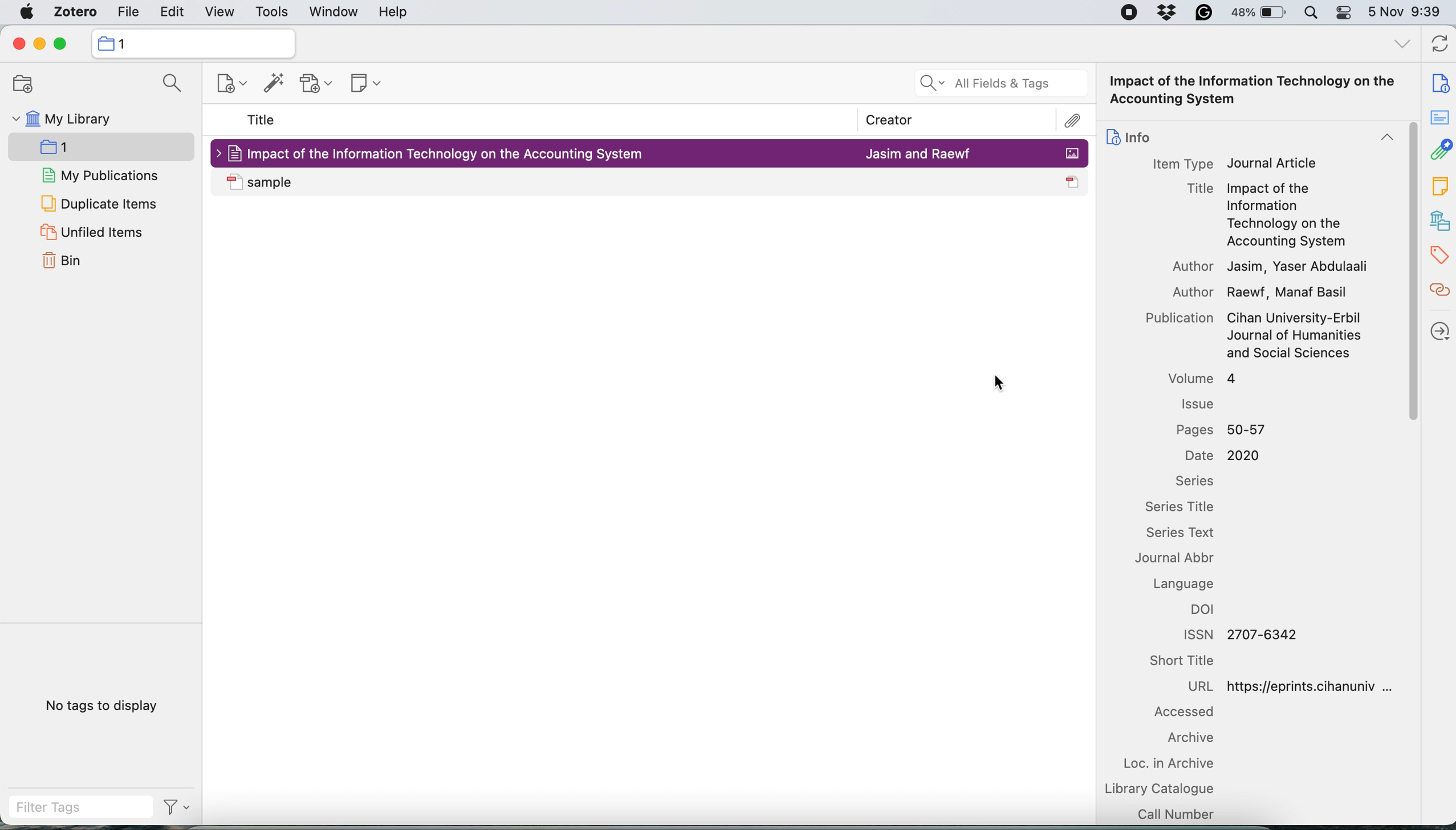 The width and height of the screenshot is (1456, 830). What do you see at coordinates (1202, 189) in the screenshot?
I see `Title` at bounding box center [1202, 189].